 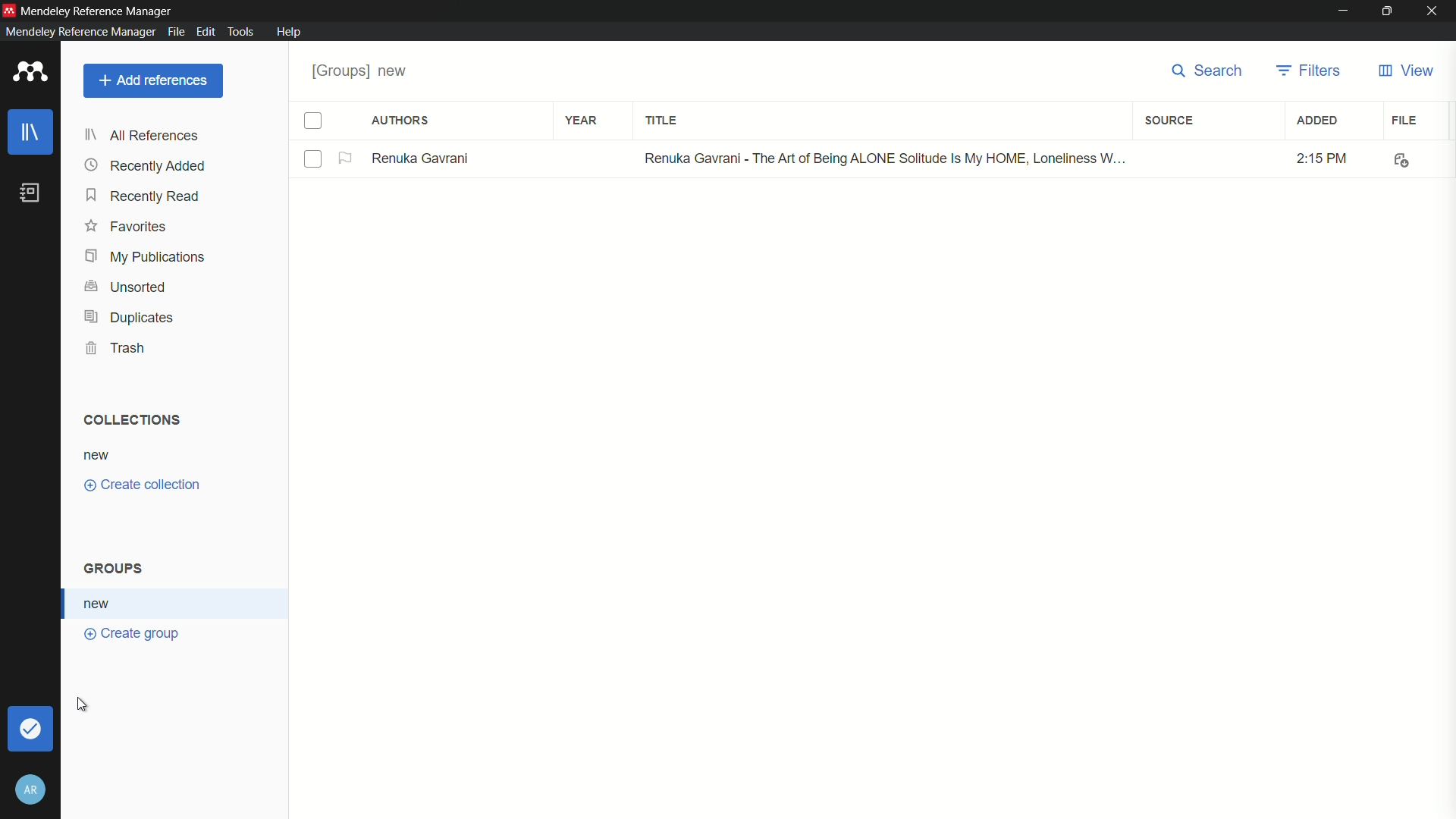 I want to click on app icon, so click(x=9, y=8).